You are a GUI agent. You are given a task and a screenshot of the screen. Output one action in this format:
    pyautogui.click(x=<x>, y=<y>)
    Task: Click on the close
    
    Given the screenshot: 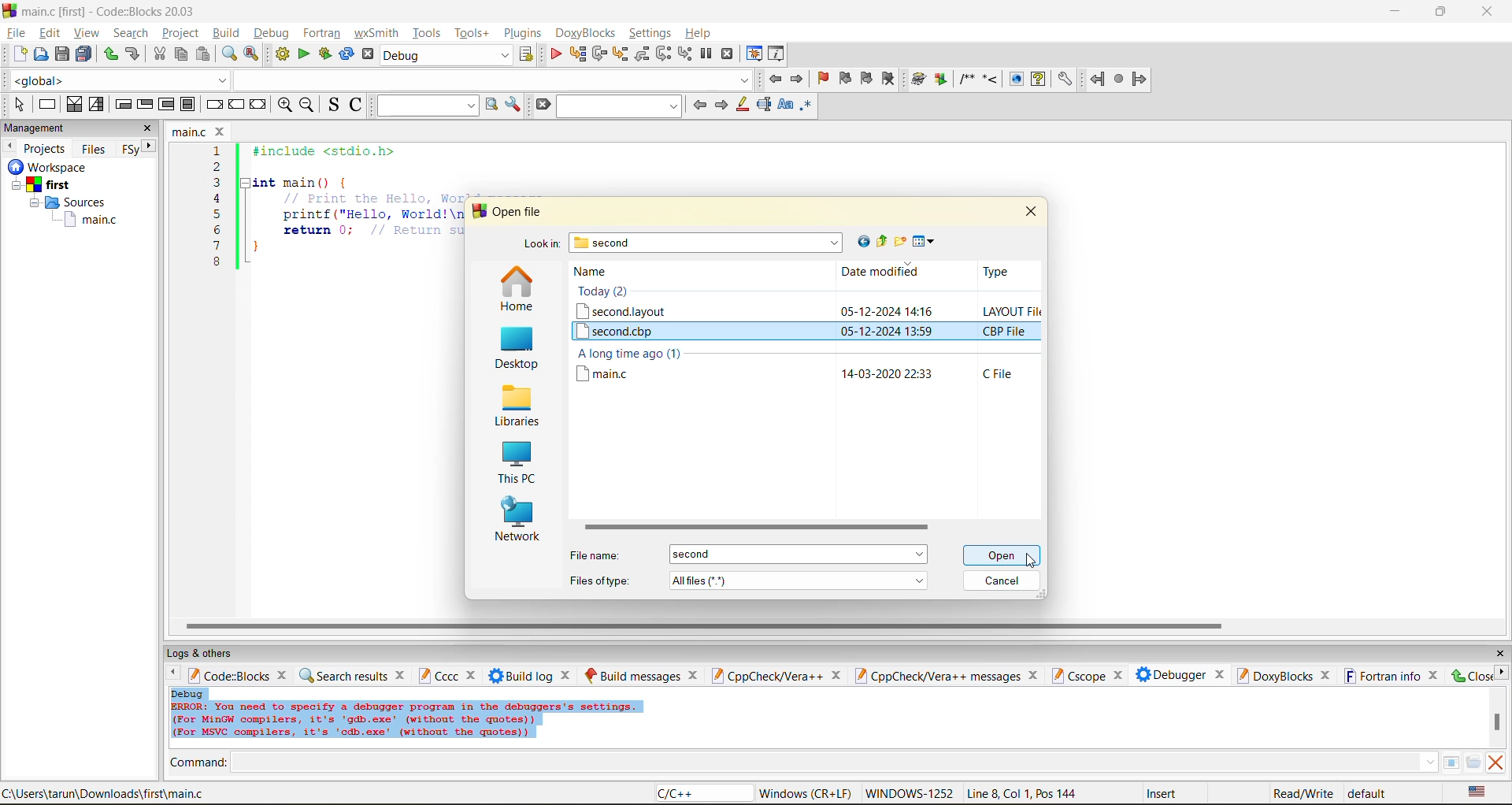 What is the action you would take?
    pyautogui.click(x=1435, y=675)
    